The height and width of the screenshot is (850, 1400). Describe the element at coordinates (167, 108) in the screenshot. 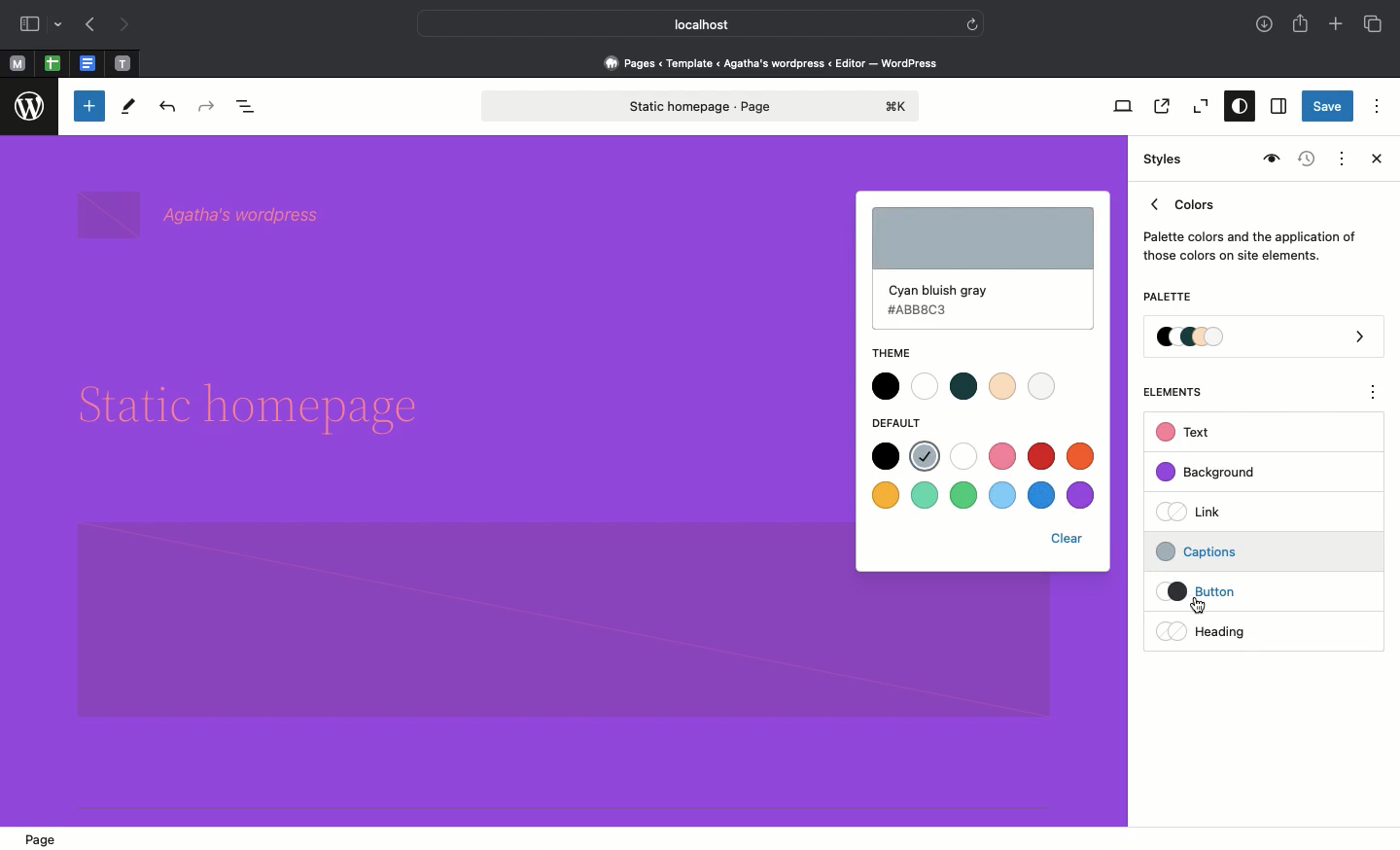

I see `Undo` at that location.